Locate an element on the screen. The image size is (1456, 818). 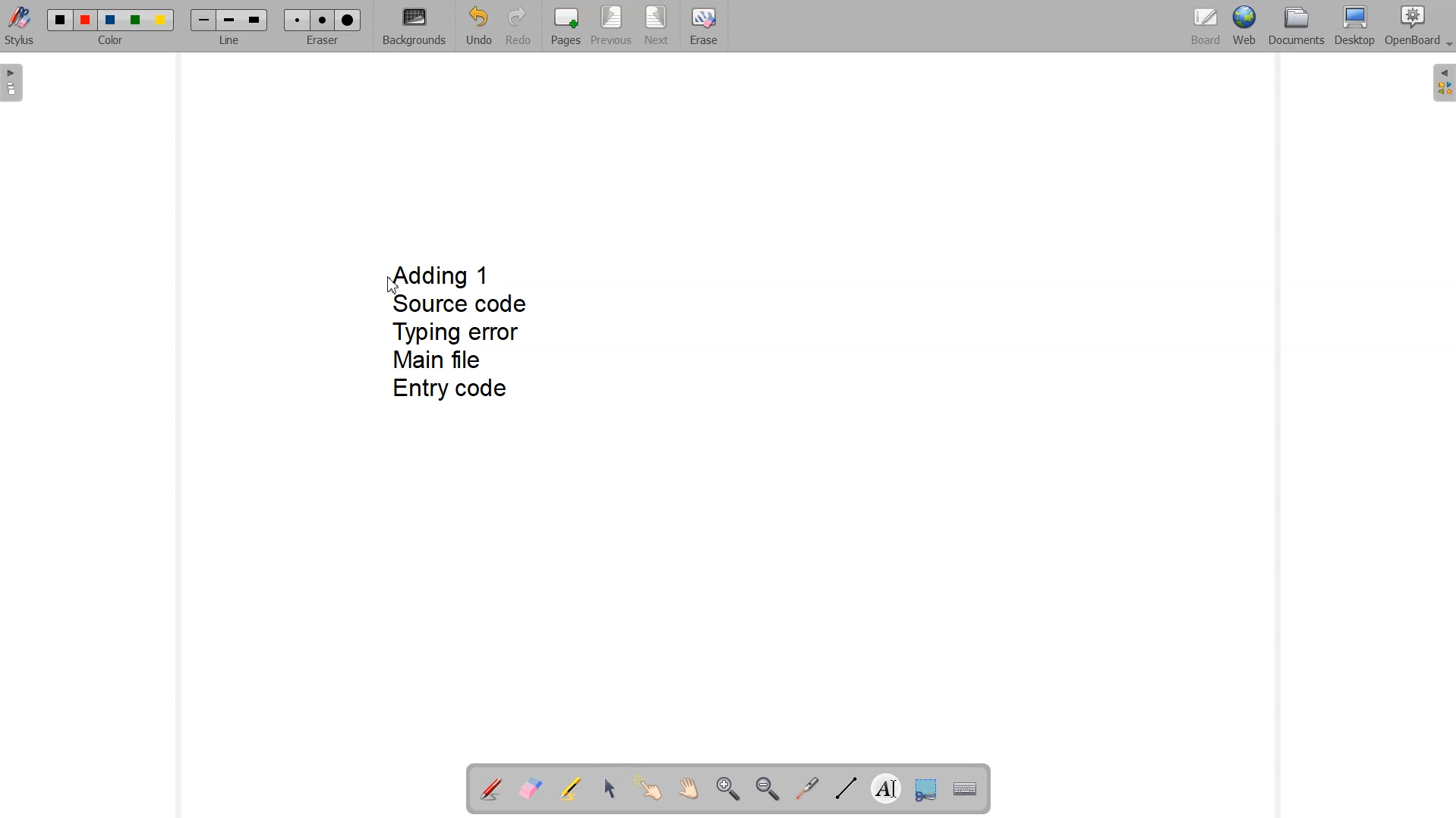
Erase is located at coordinates (704, 24).